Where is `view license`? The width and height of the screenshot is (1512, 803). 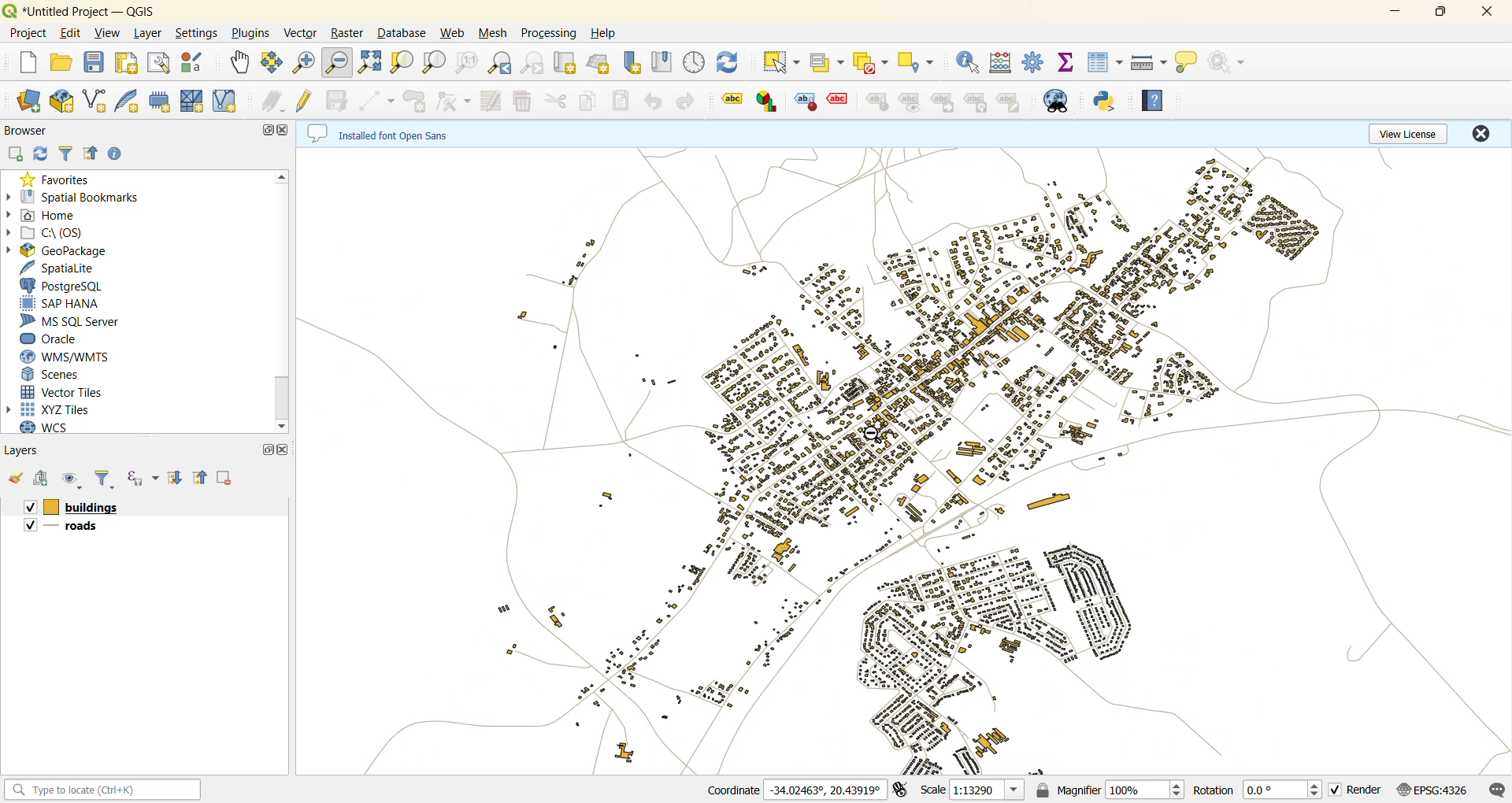
view license is located at coordinates (1417, 134).